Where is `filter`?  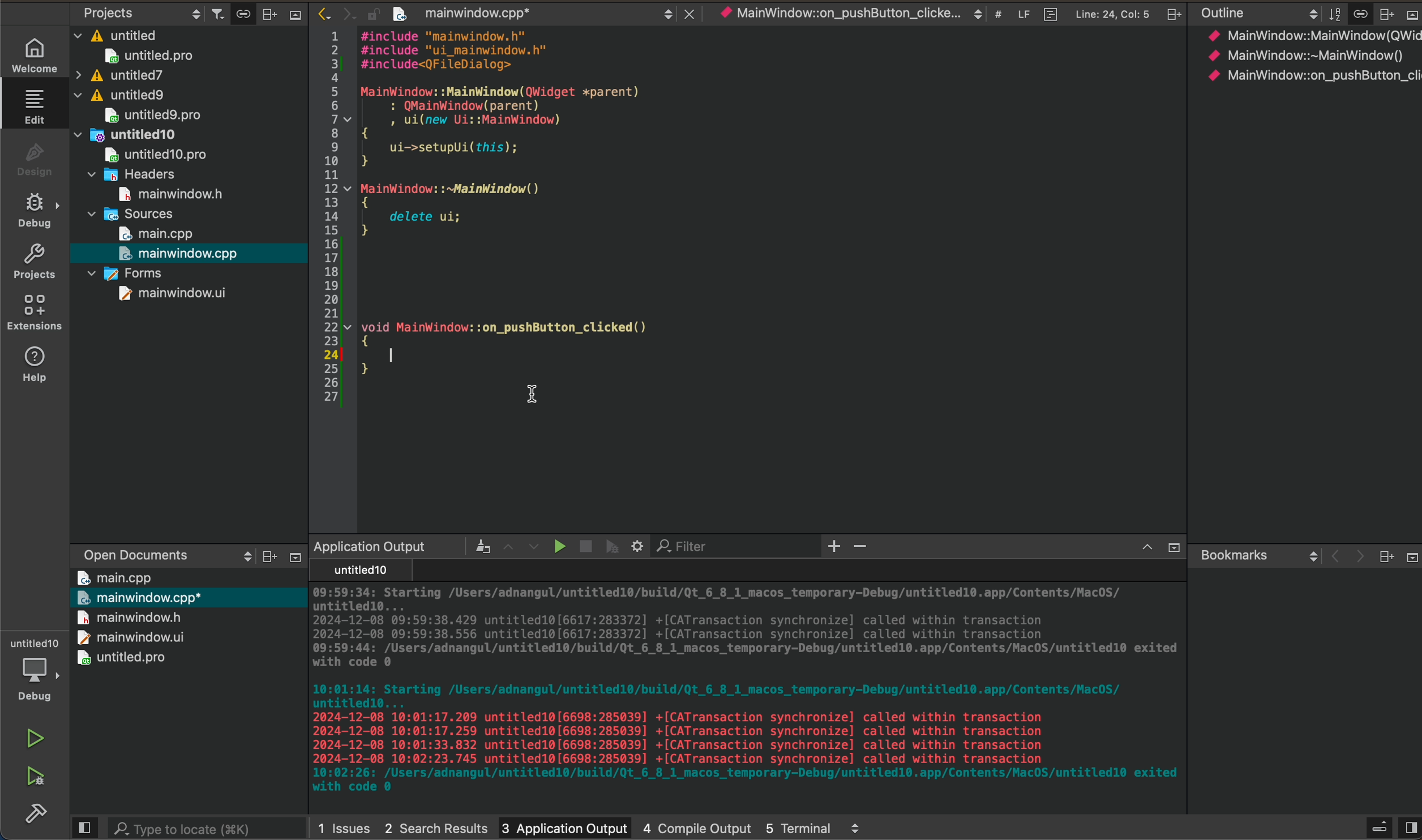 filter is located at coordinates (213, 12).